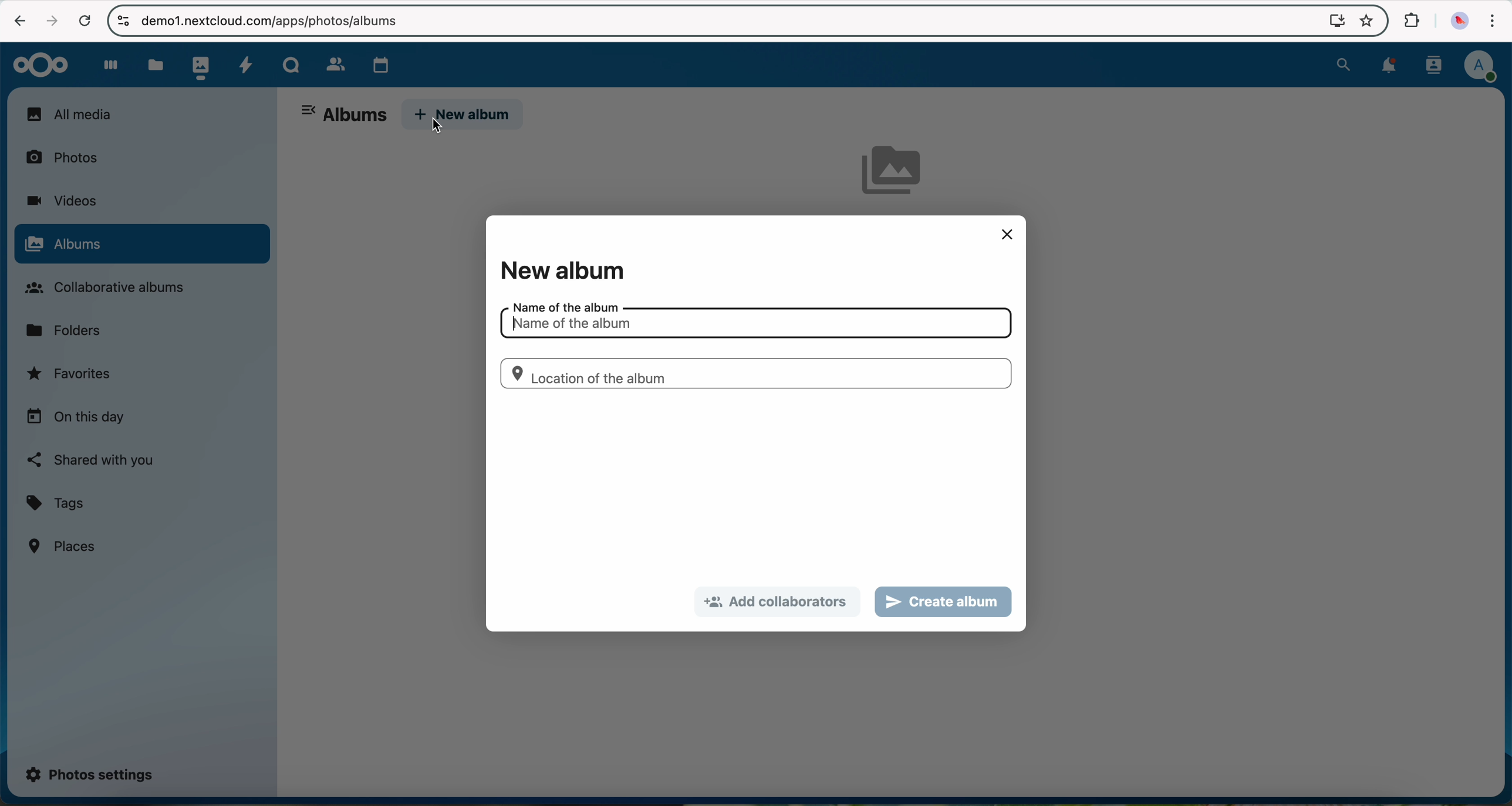  Describe the element at coordinates (754, 373) in the screenshot. I see `location of the album` at that location.